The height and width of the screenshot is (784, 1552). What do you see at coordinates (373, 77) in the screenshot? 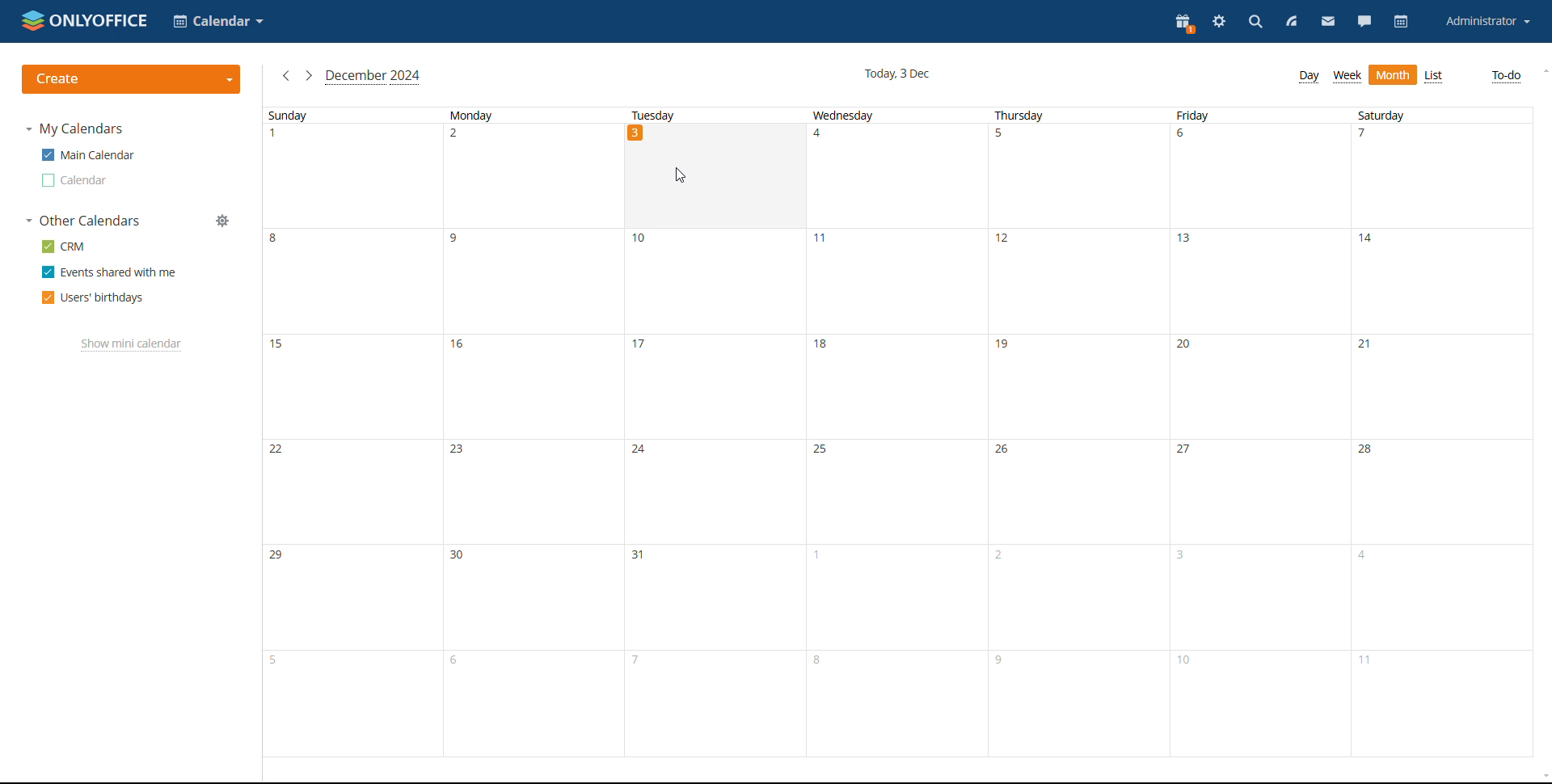
I see `current month` at bounding box center [373, 77].